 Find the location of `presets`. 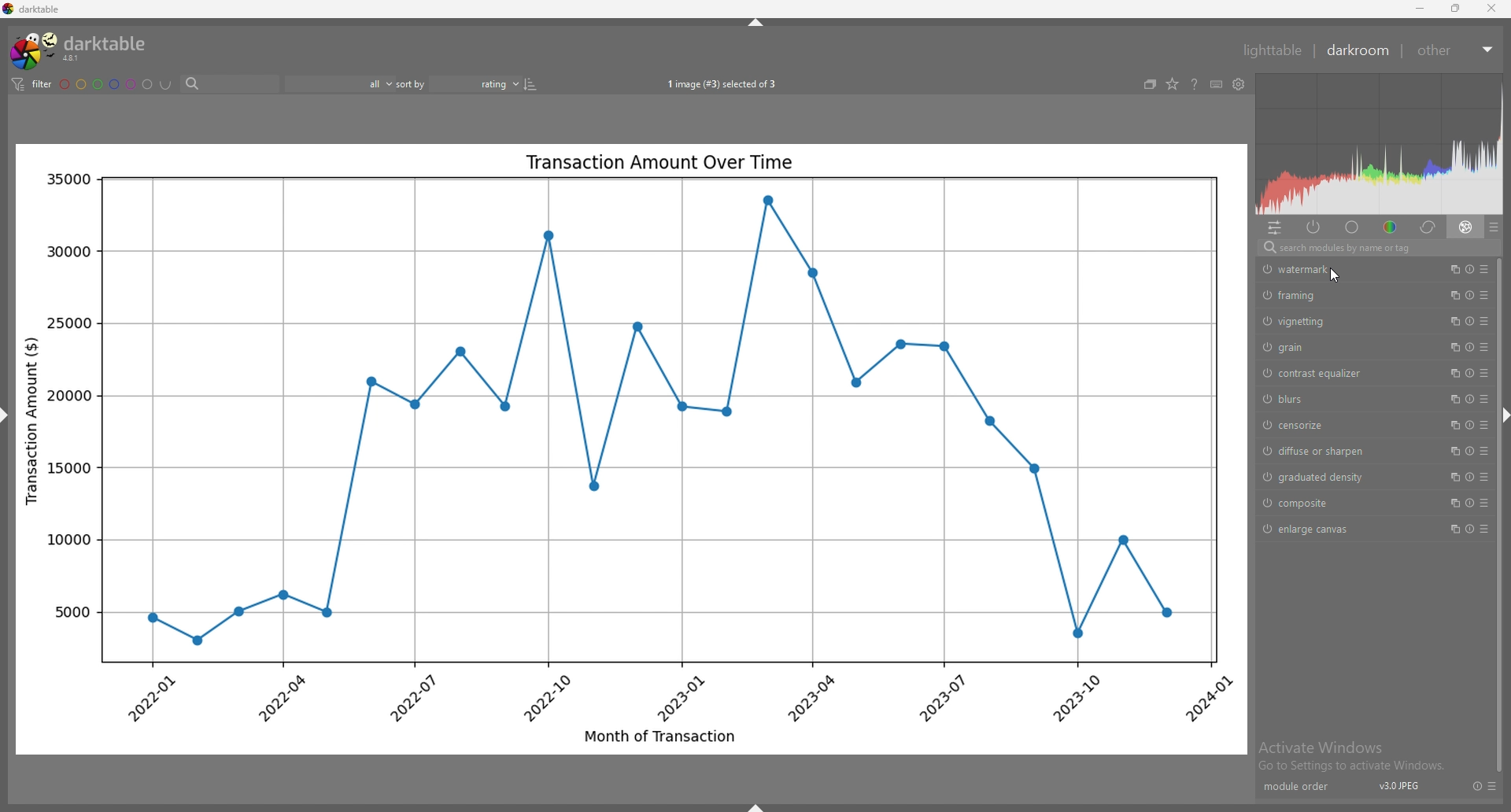

presets is located at coordinates (1494, 227).